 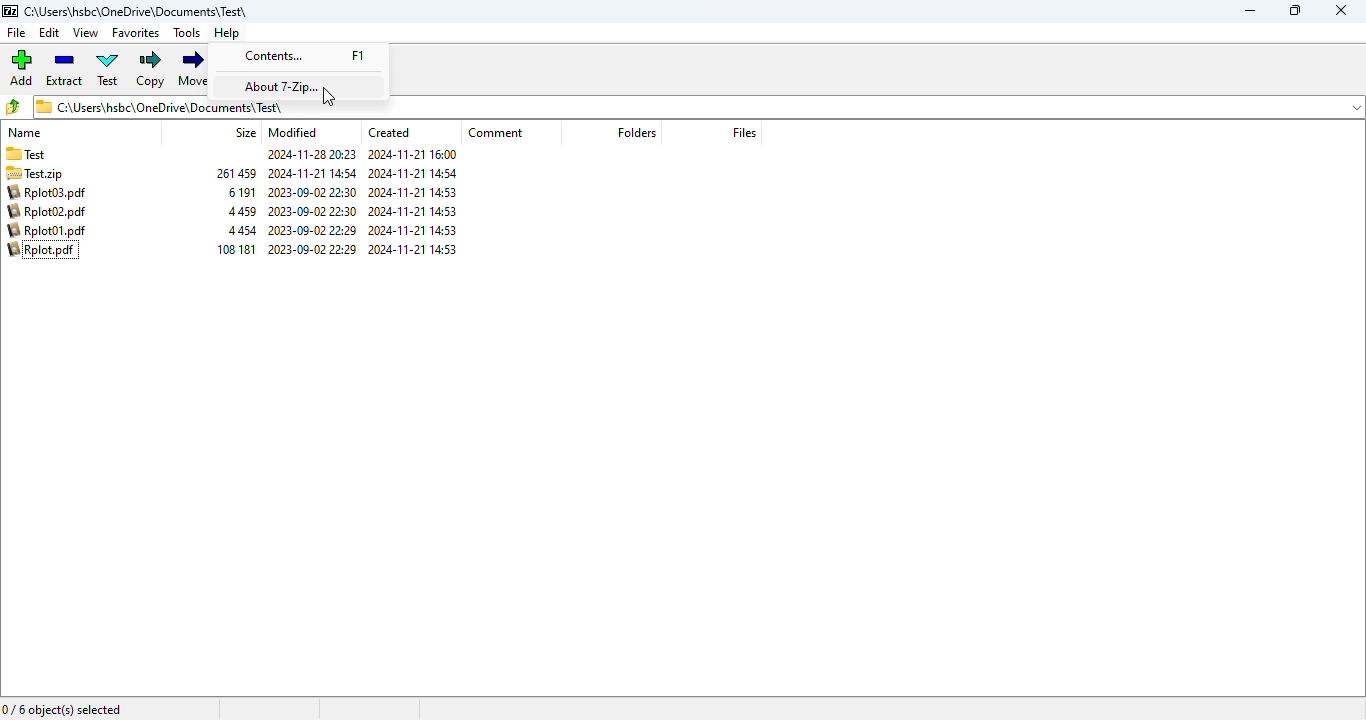 What do you see at coordinates (48, 174) in the screenshot?
I see `Test.zip` at bounding box center [48, 174].